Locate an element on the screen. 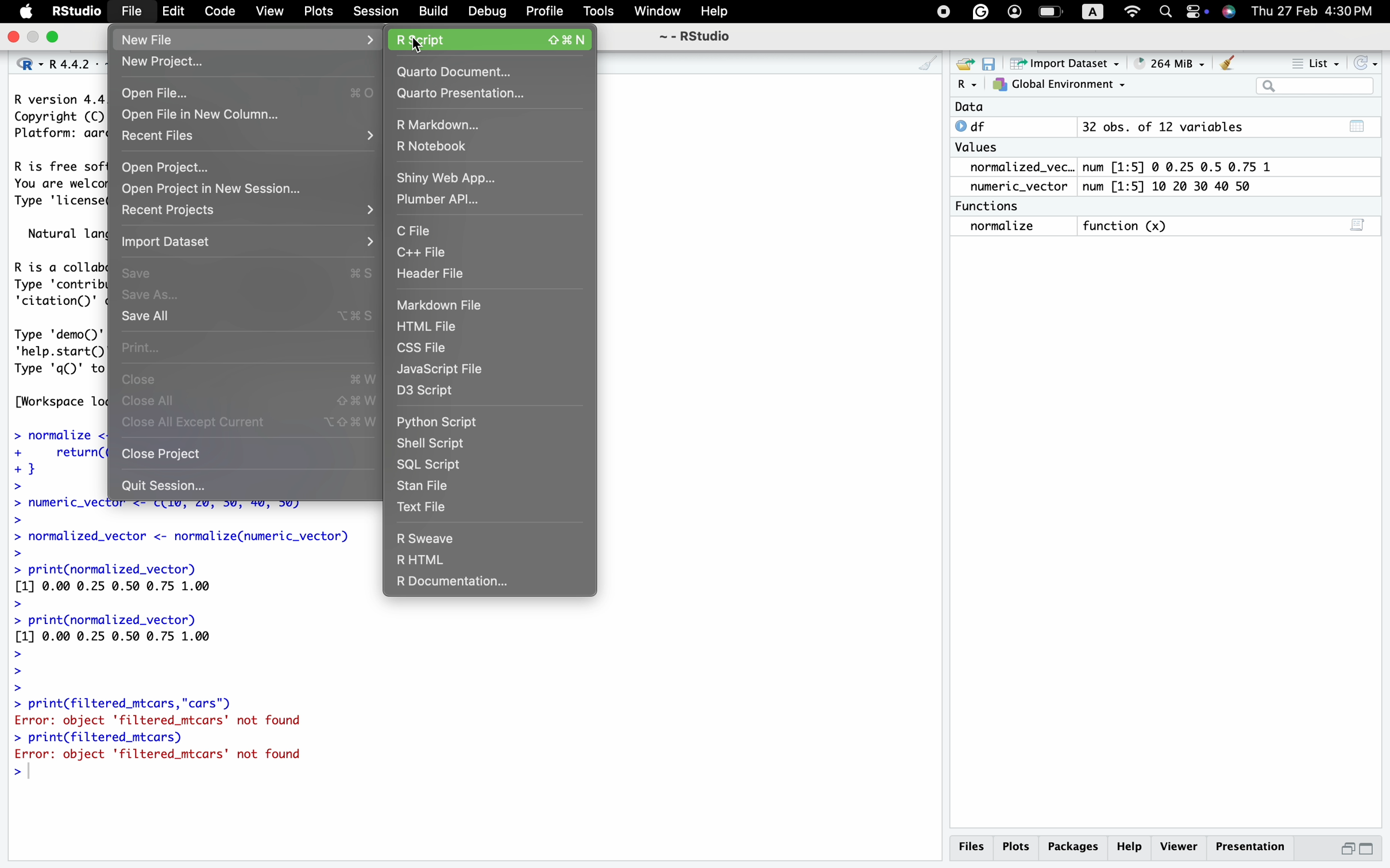 This screenshot has height=868, width=1390. print(filtered_mtcars) is located at coordinates (106, 738).